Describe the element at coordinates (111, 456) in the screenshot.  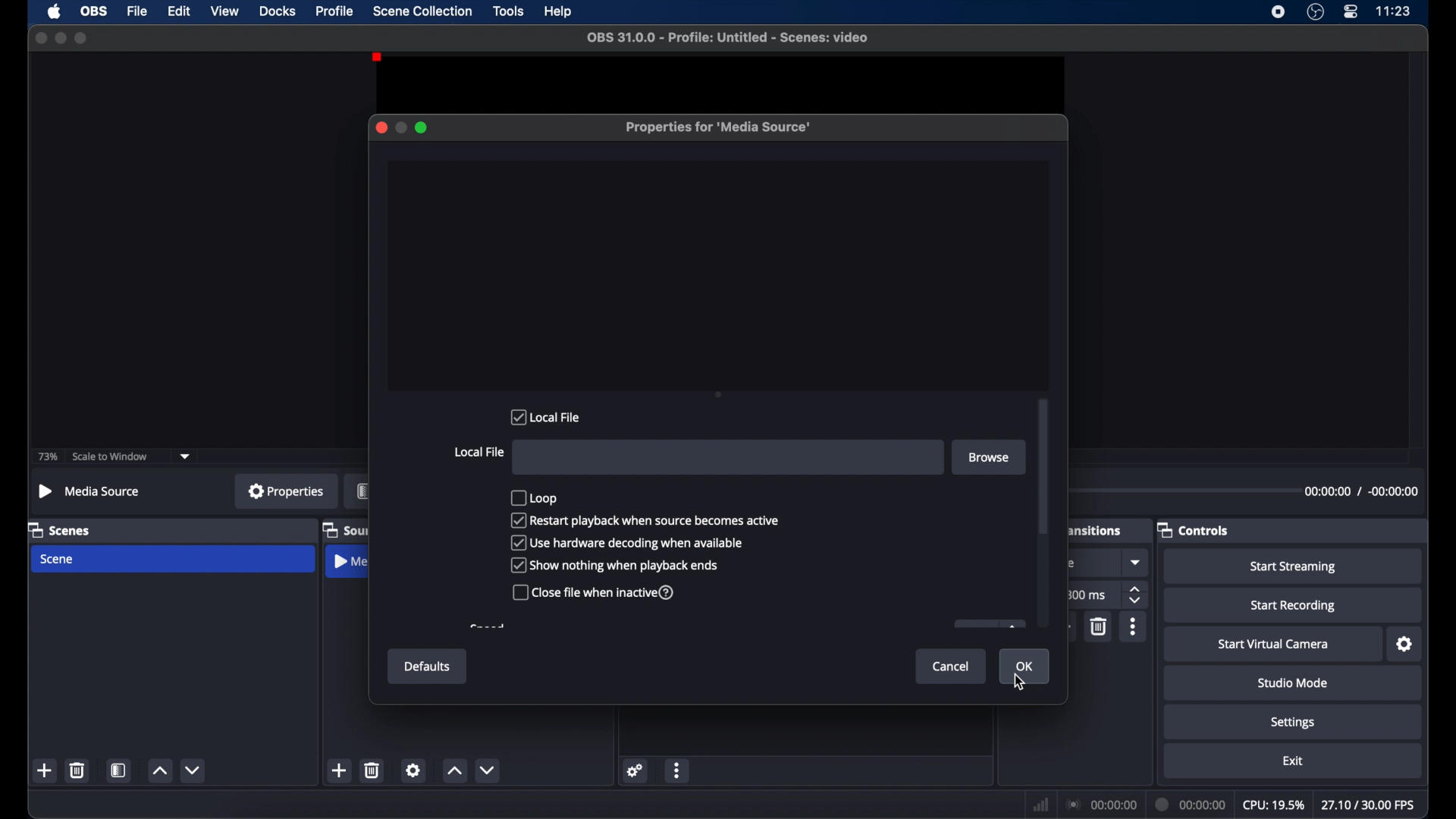
I see `scale to window` at that location.